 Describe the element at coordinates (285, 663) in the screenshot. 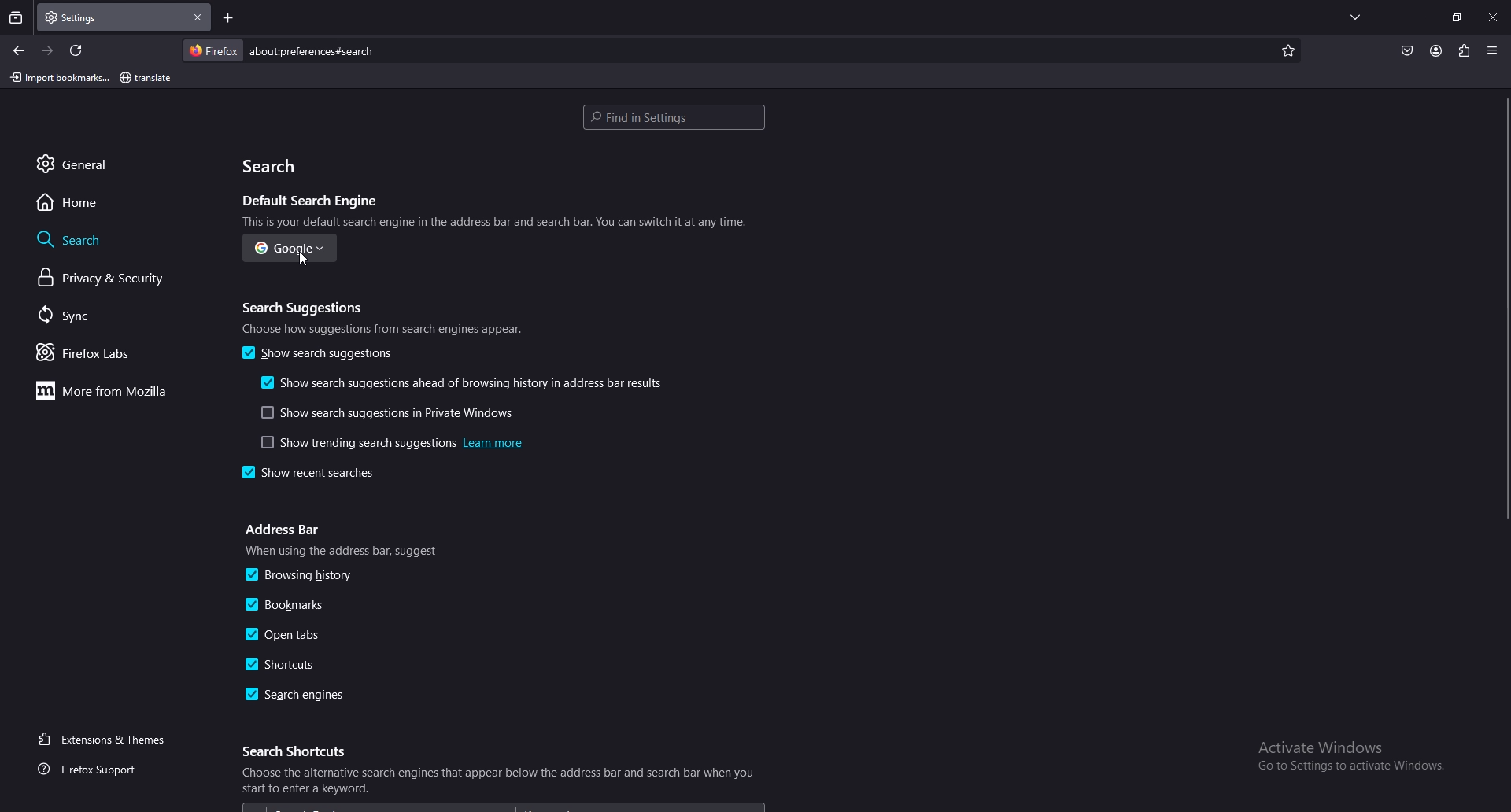

I see `shortcuts` at that location.